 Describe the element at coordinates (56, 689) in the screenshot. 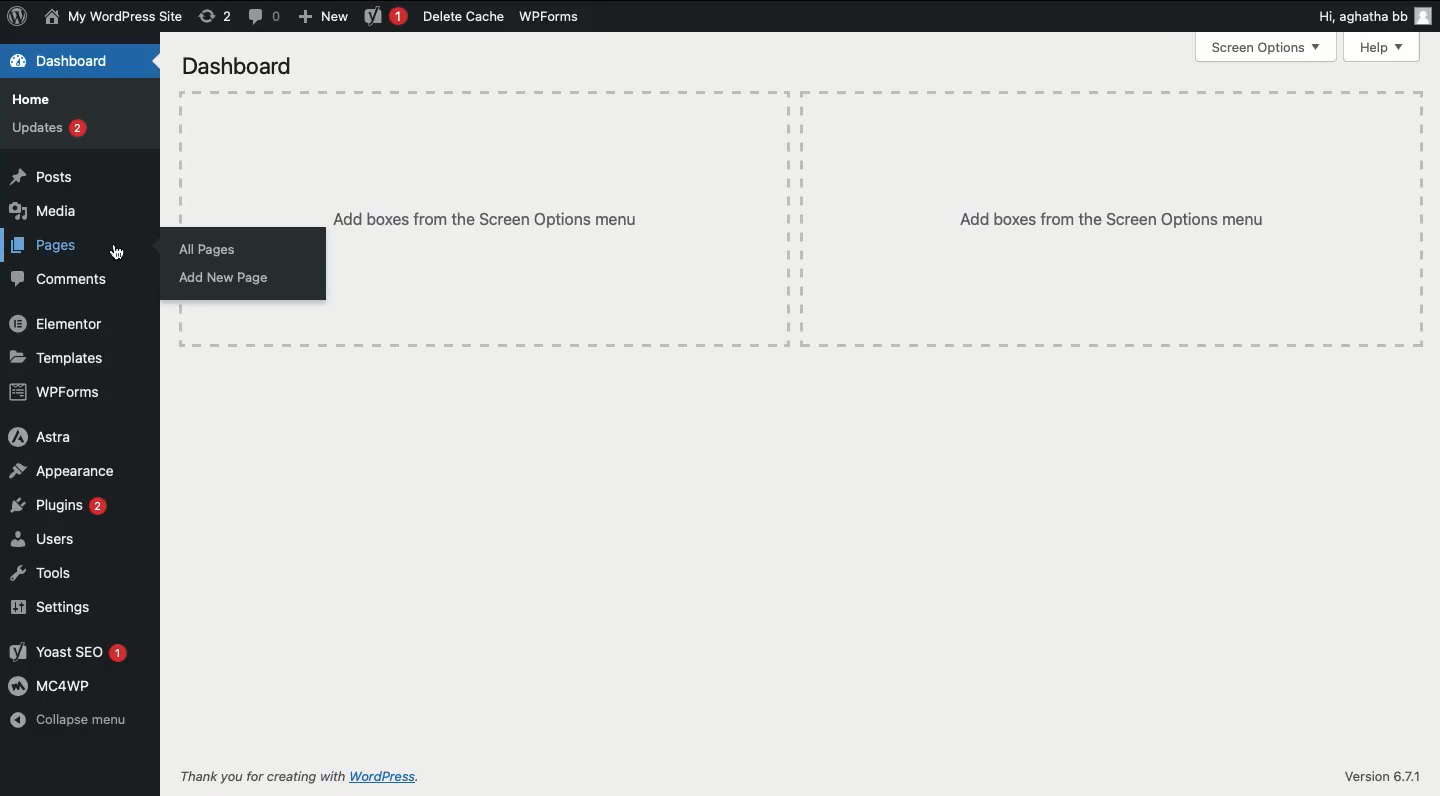

I see `MC4WP` at that location.